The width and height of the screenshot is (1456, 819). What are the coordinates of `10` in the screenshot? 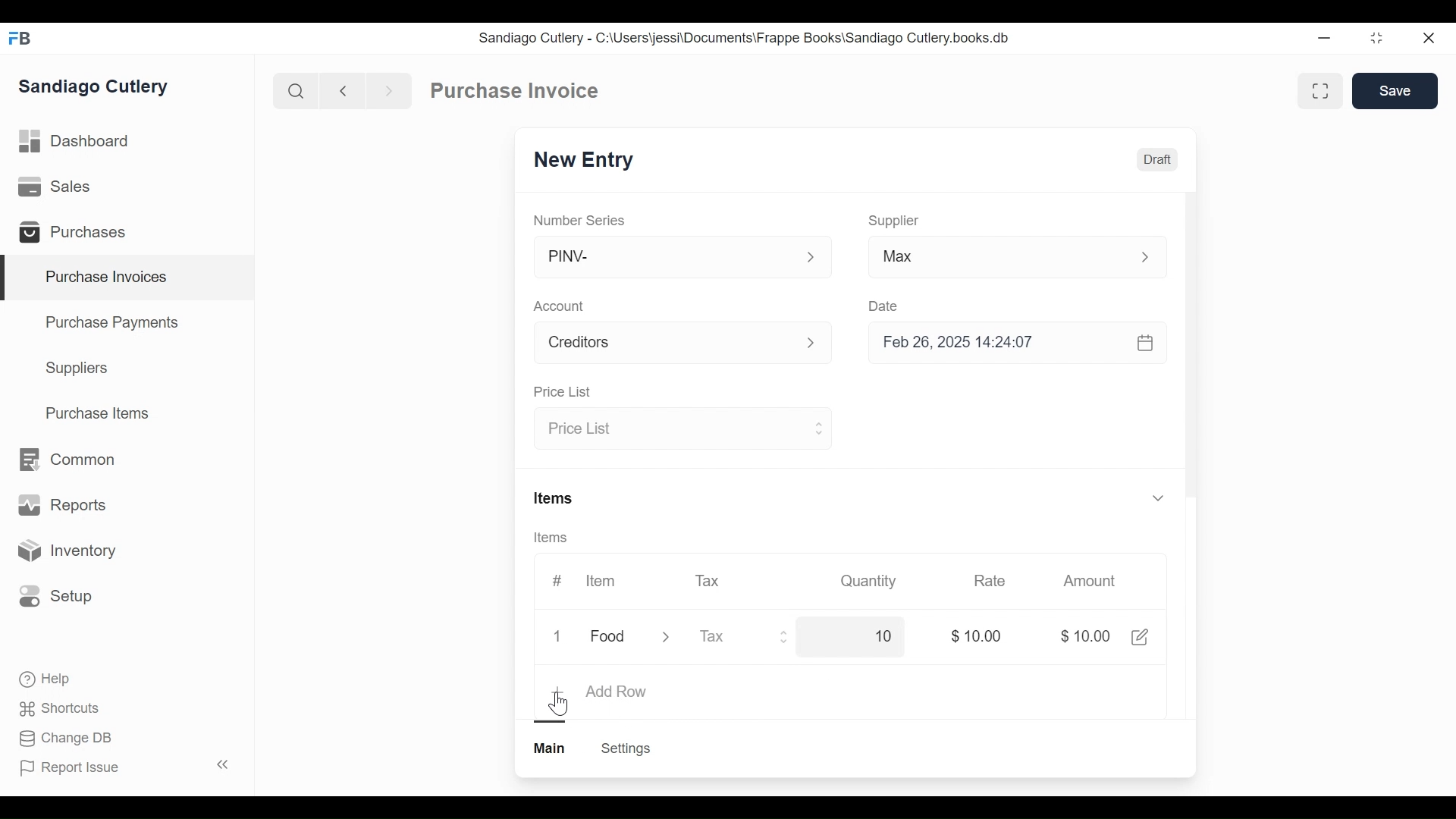 It's located at (870, 638).